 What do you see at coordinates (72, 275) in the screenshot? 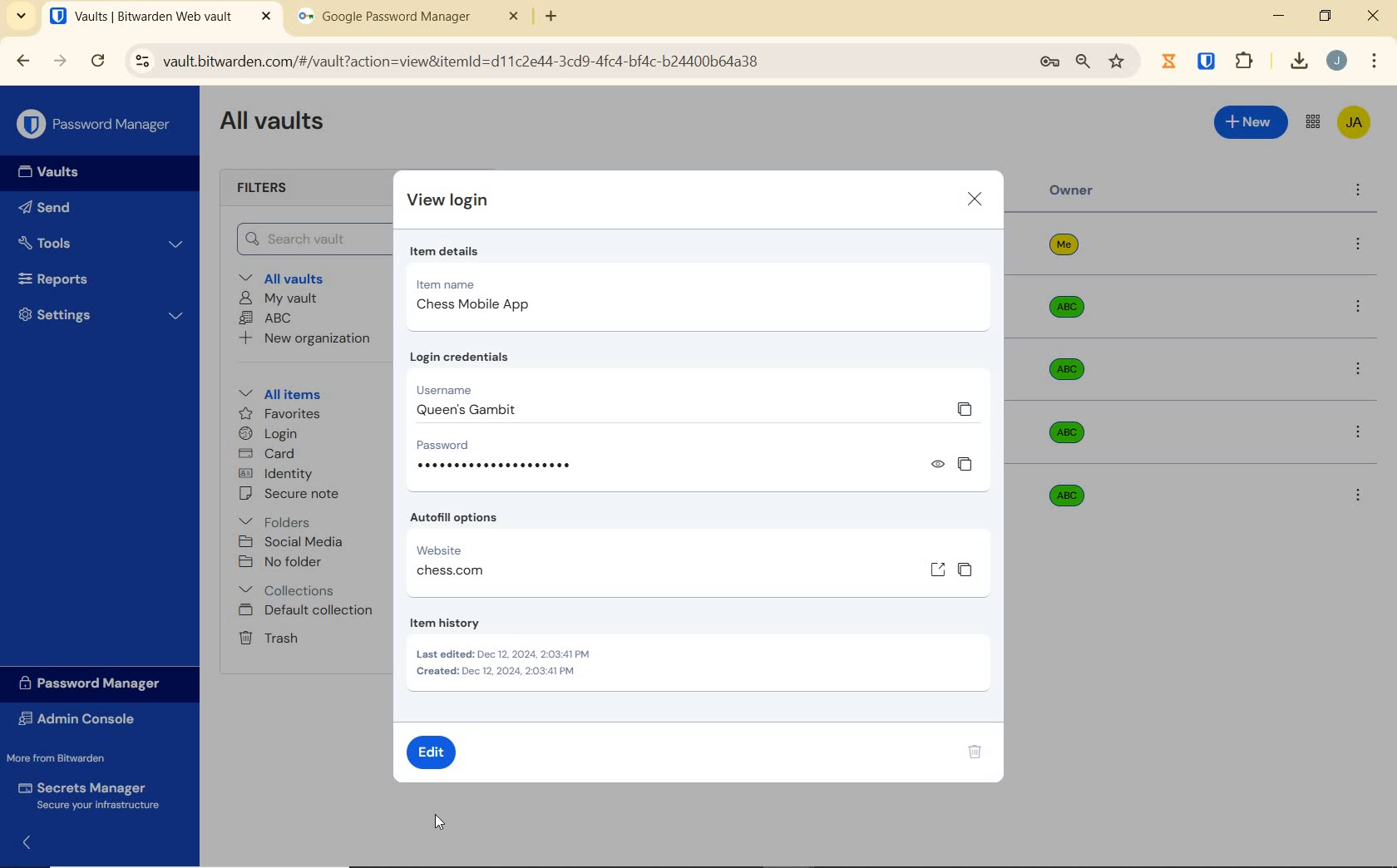
I see `Reports` at bounding box center [72, 275].